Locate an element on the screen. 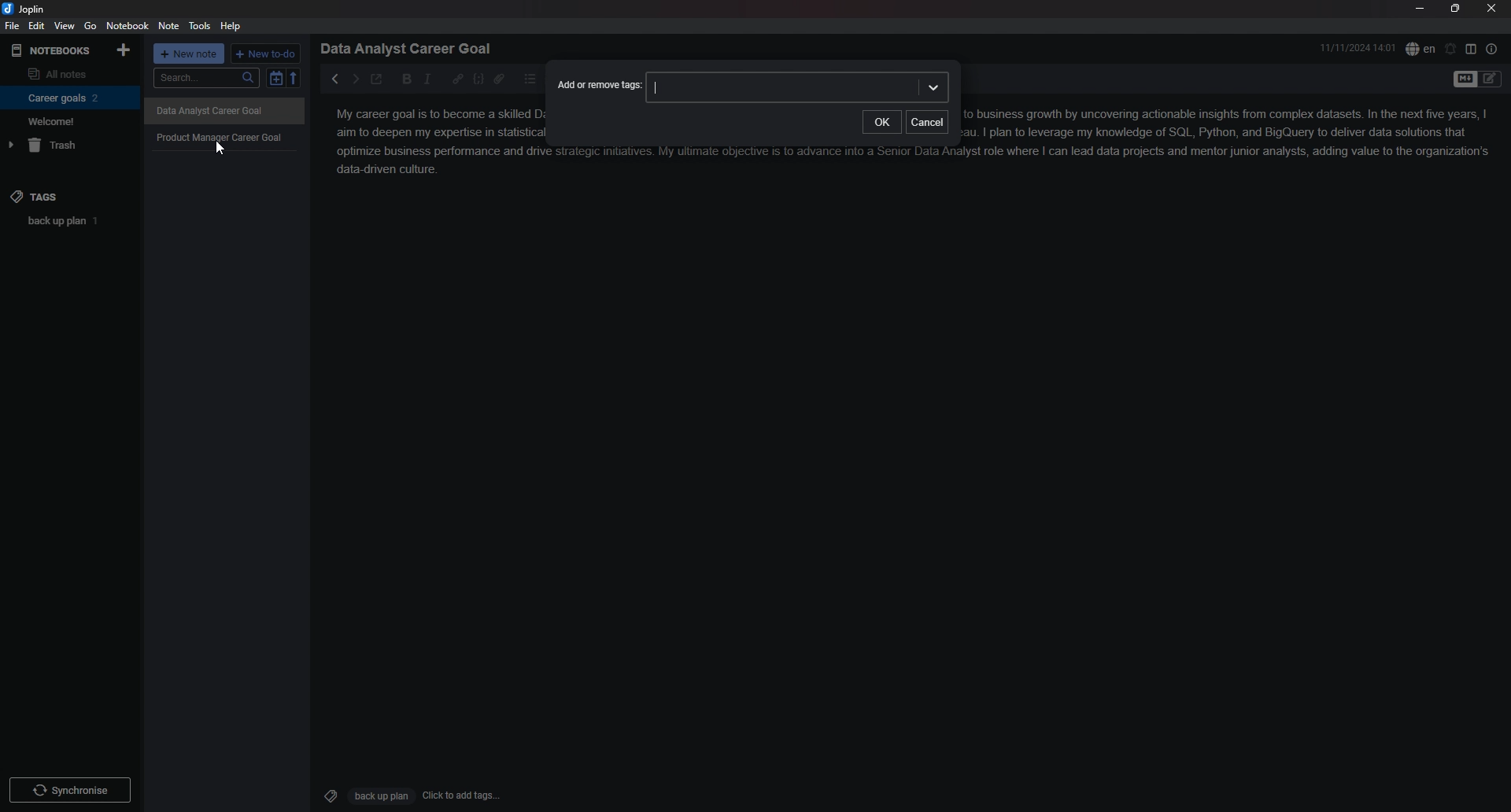 Image resolution: width=1511 pixels, height=812 pixels.  is located at coordinates (229, 113).